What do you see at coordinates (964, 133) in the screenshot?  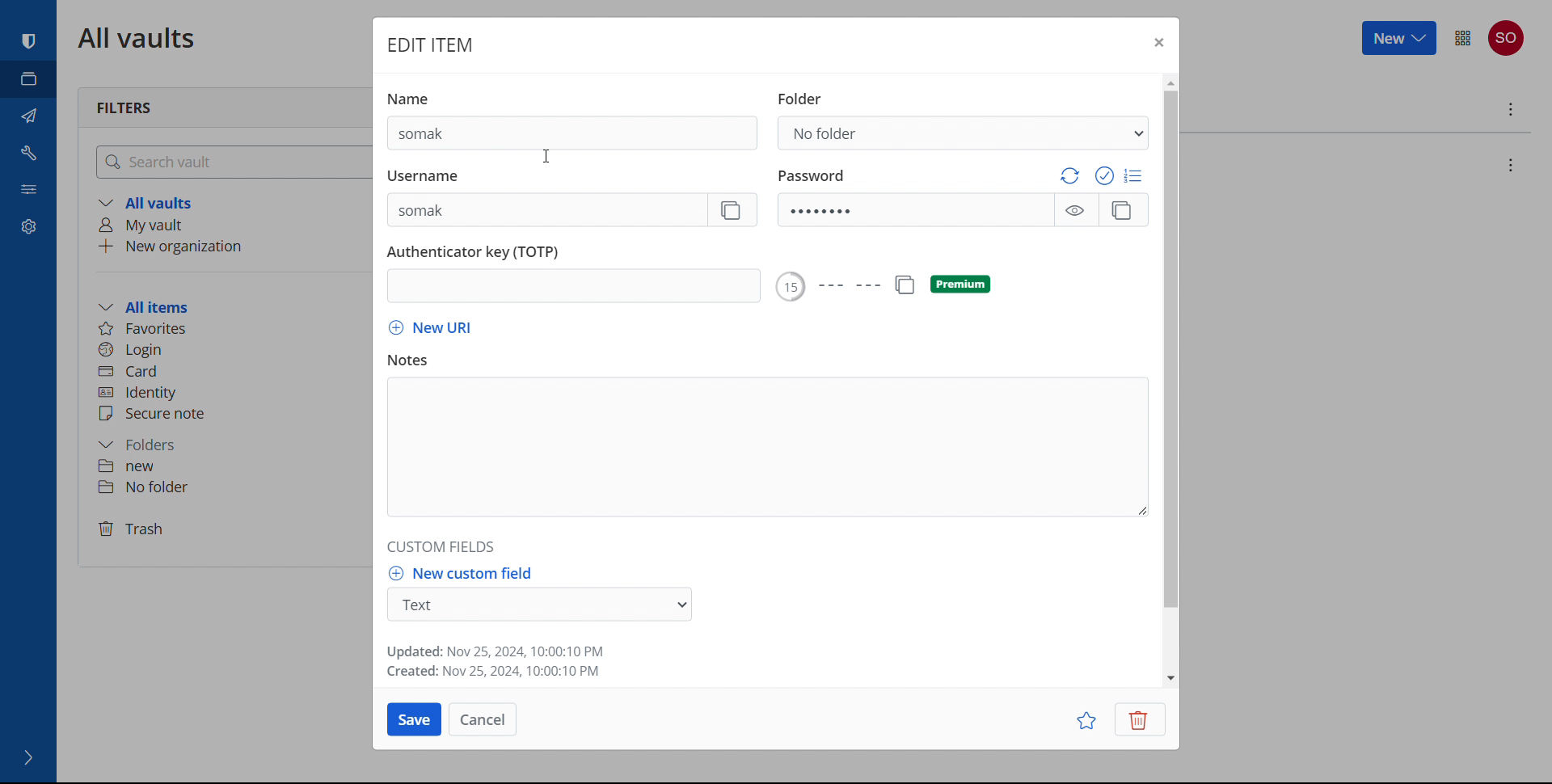 I see `select folder` at bounding box center [964, 133].